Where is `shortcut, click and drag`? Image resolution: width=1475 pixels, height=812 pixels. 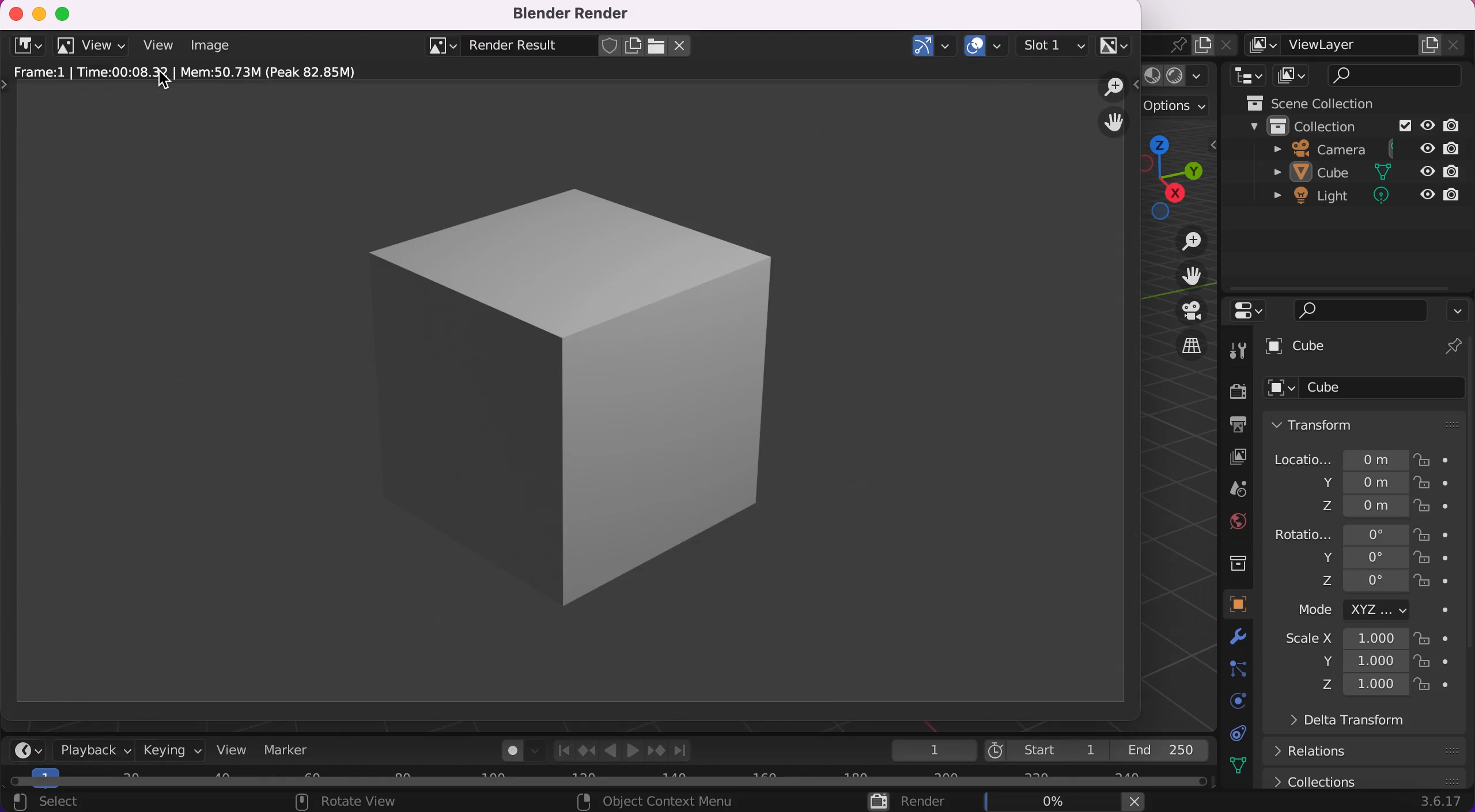 shortcut, click and drag is located at coordinates (1178, 176).